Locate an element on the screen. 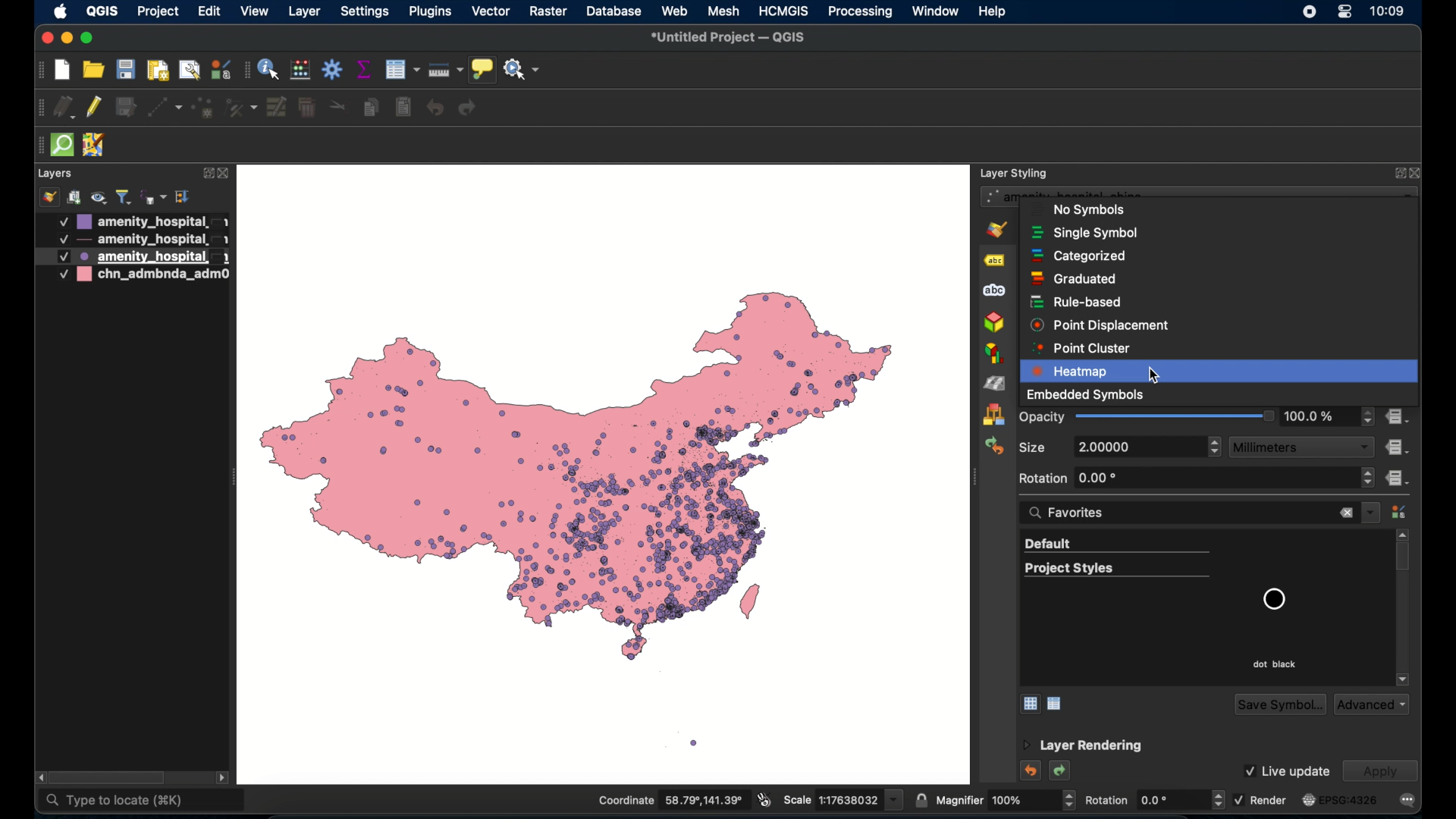 The height and width of the screenshot is (819, 1456). No symbols is located at coordinates (1090, 209).